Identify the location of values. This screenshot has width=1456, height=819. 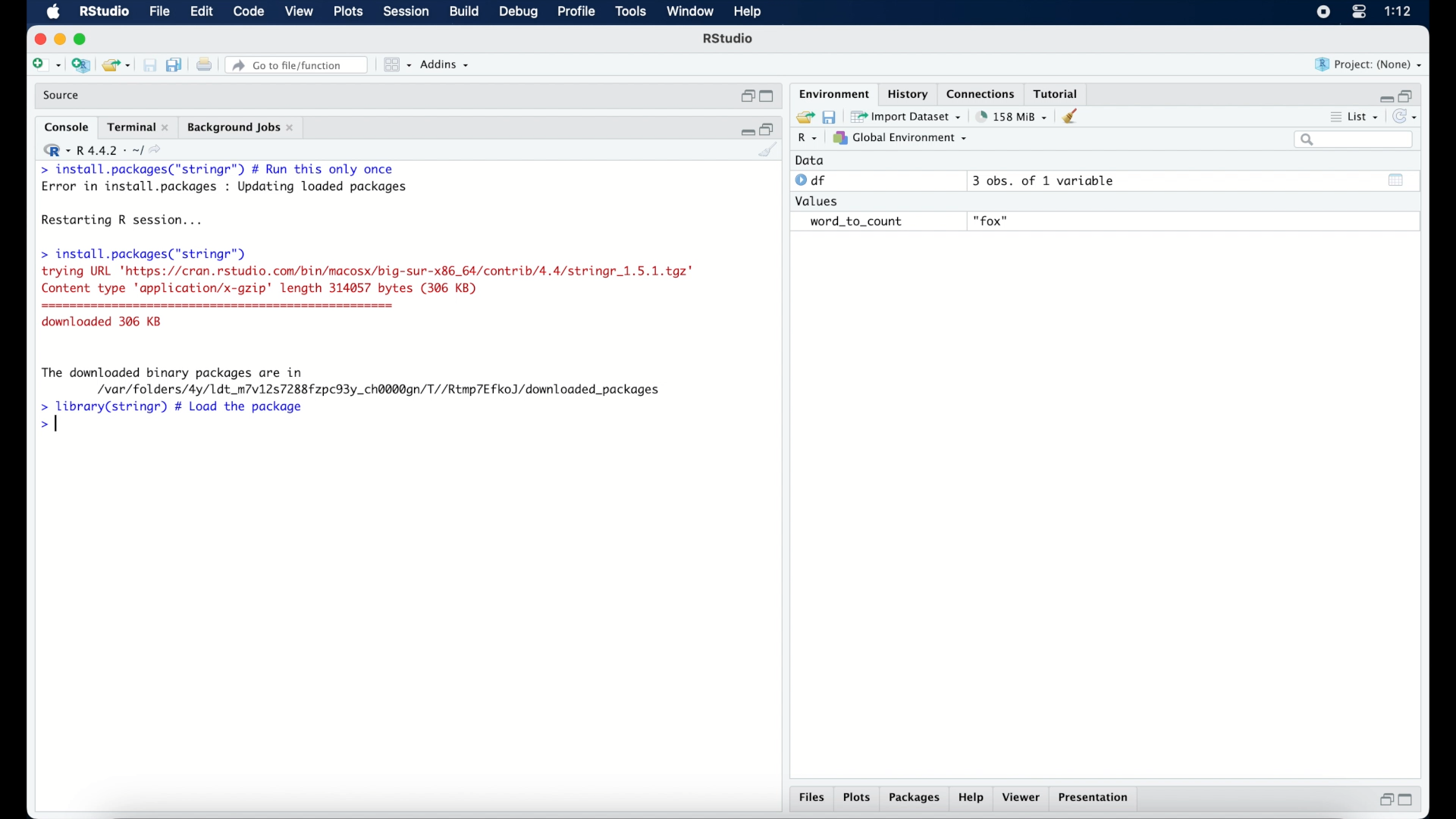
(818, 199).